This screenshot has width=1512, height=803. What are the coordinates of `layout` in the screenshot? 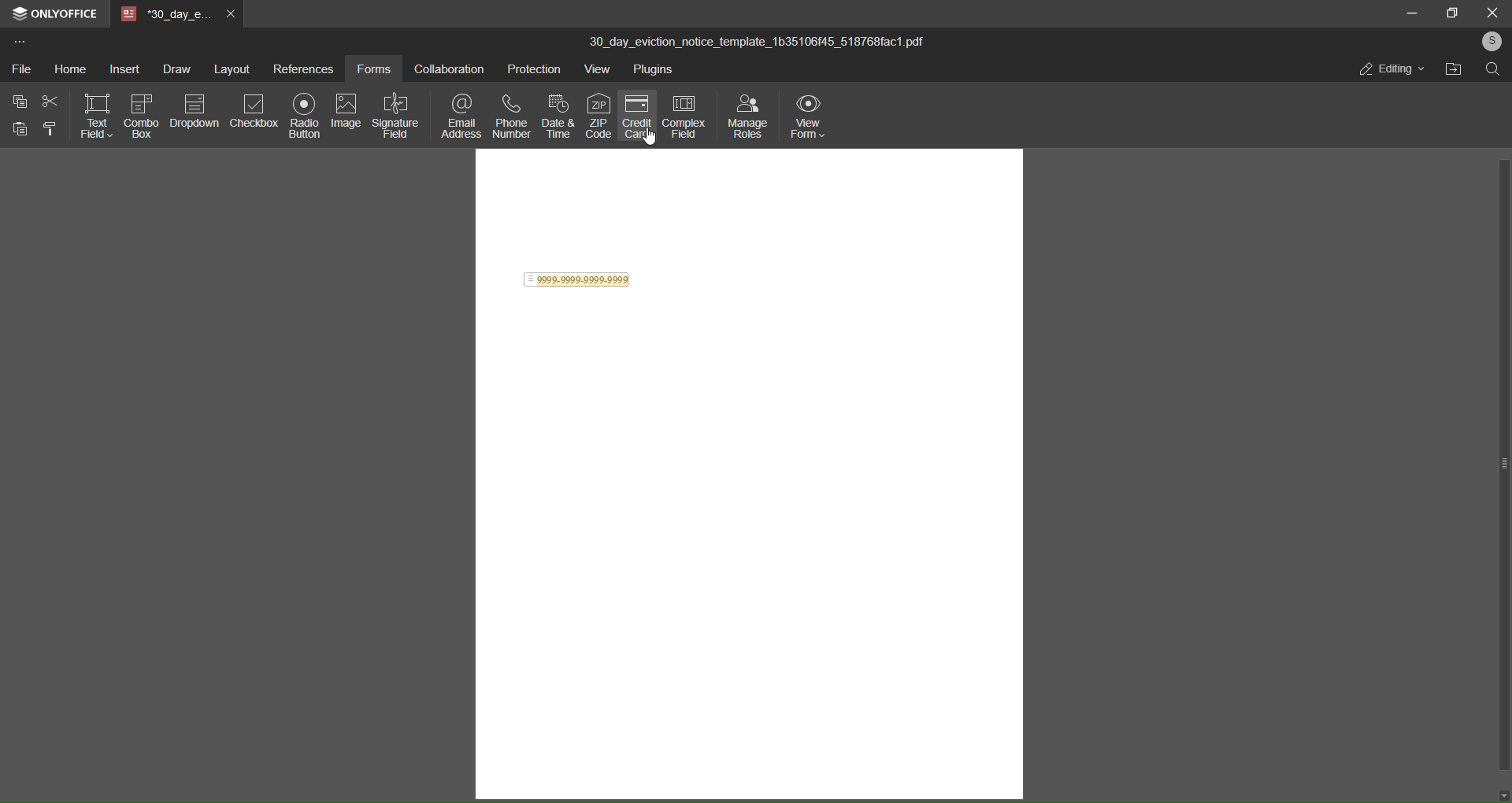 It's located at (230, 68).